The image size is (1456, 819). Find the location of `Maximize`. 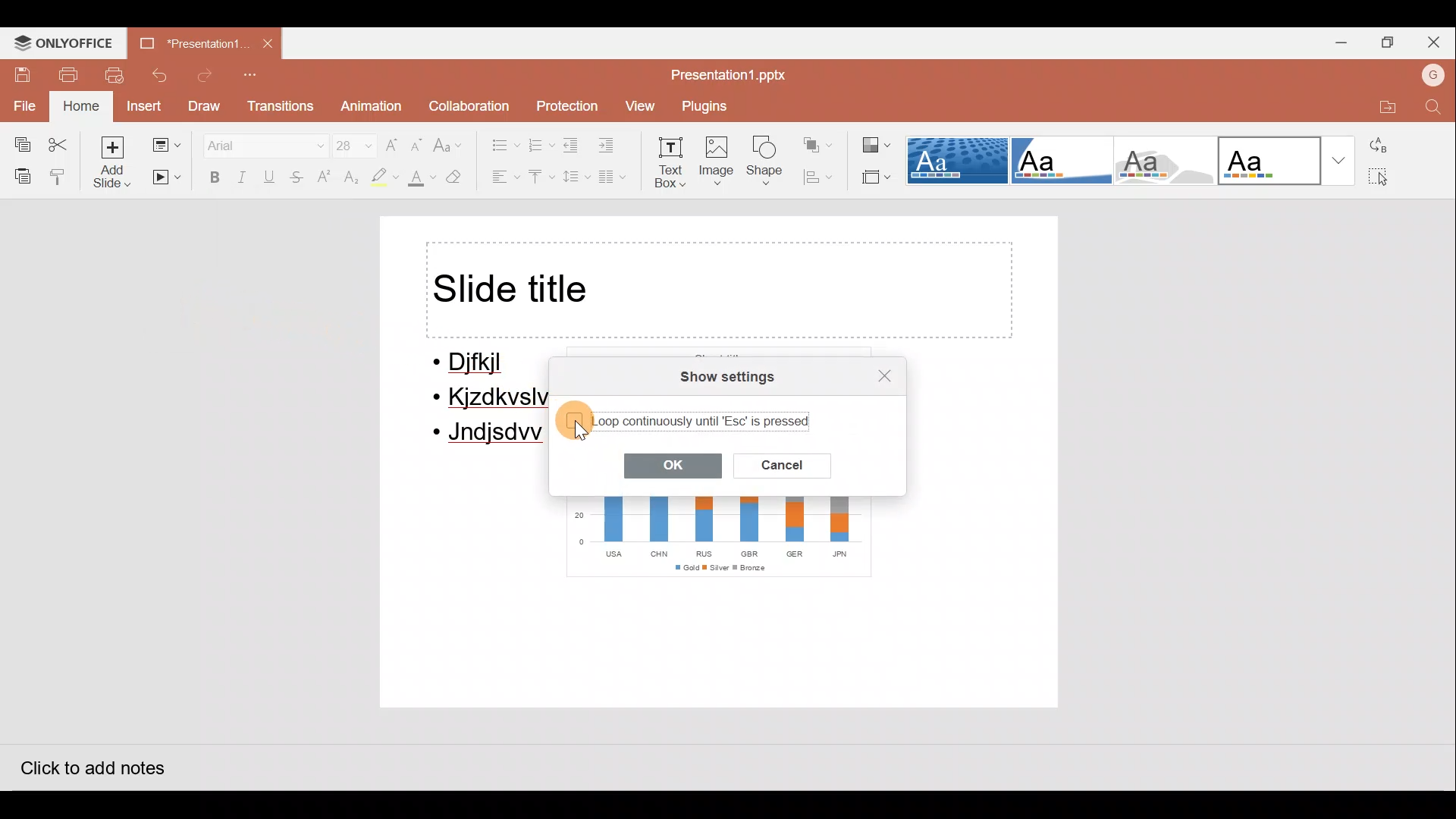

Maximize is located at coordinates (1386, 39).